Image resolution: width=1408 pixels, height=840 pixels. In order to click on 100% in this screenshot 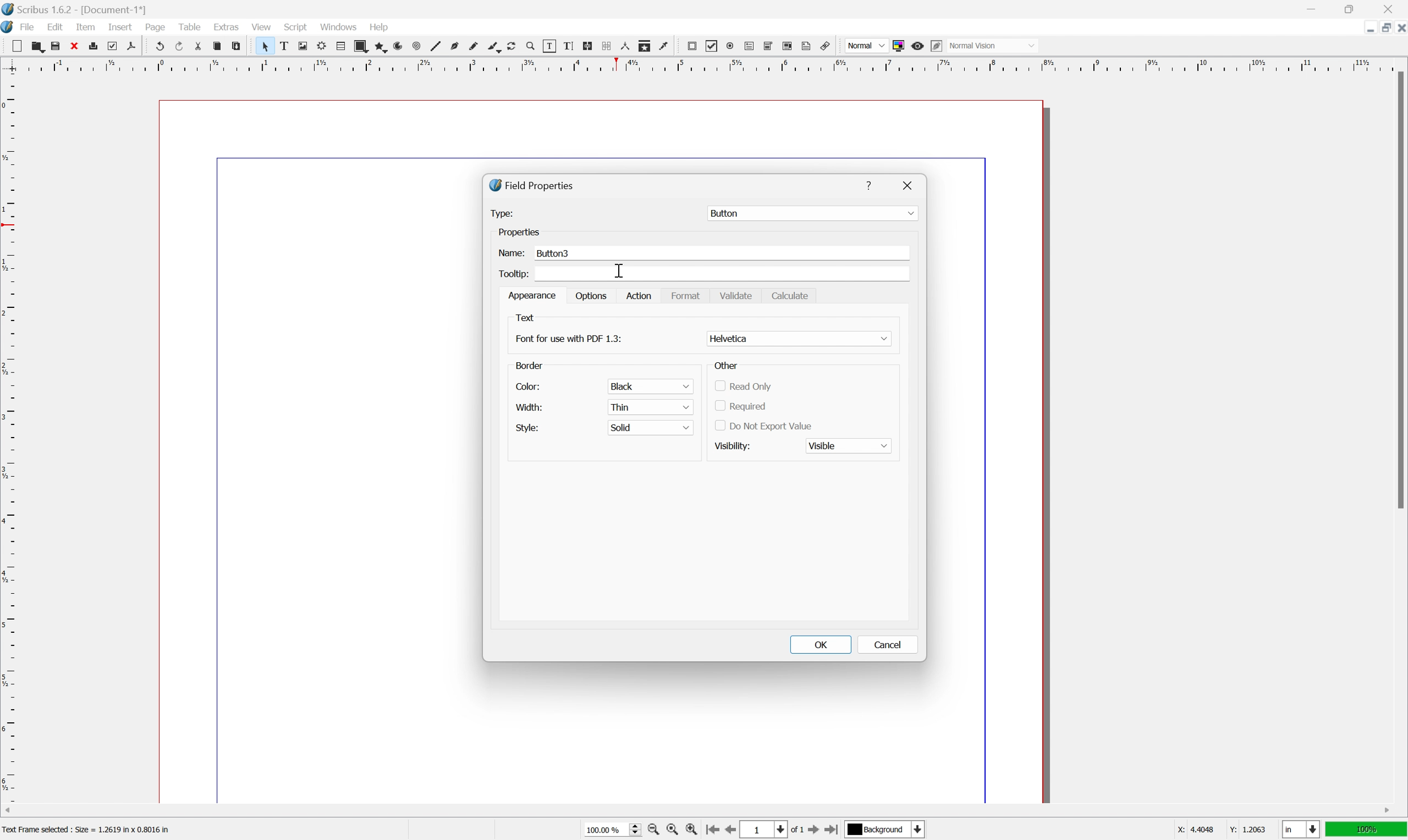, I will do `click(1367, 831)`.